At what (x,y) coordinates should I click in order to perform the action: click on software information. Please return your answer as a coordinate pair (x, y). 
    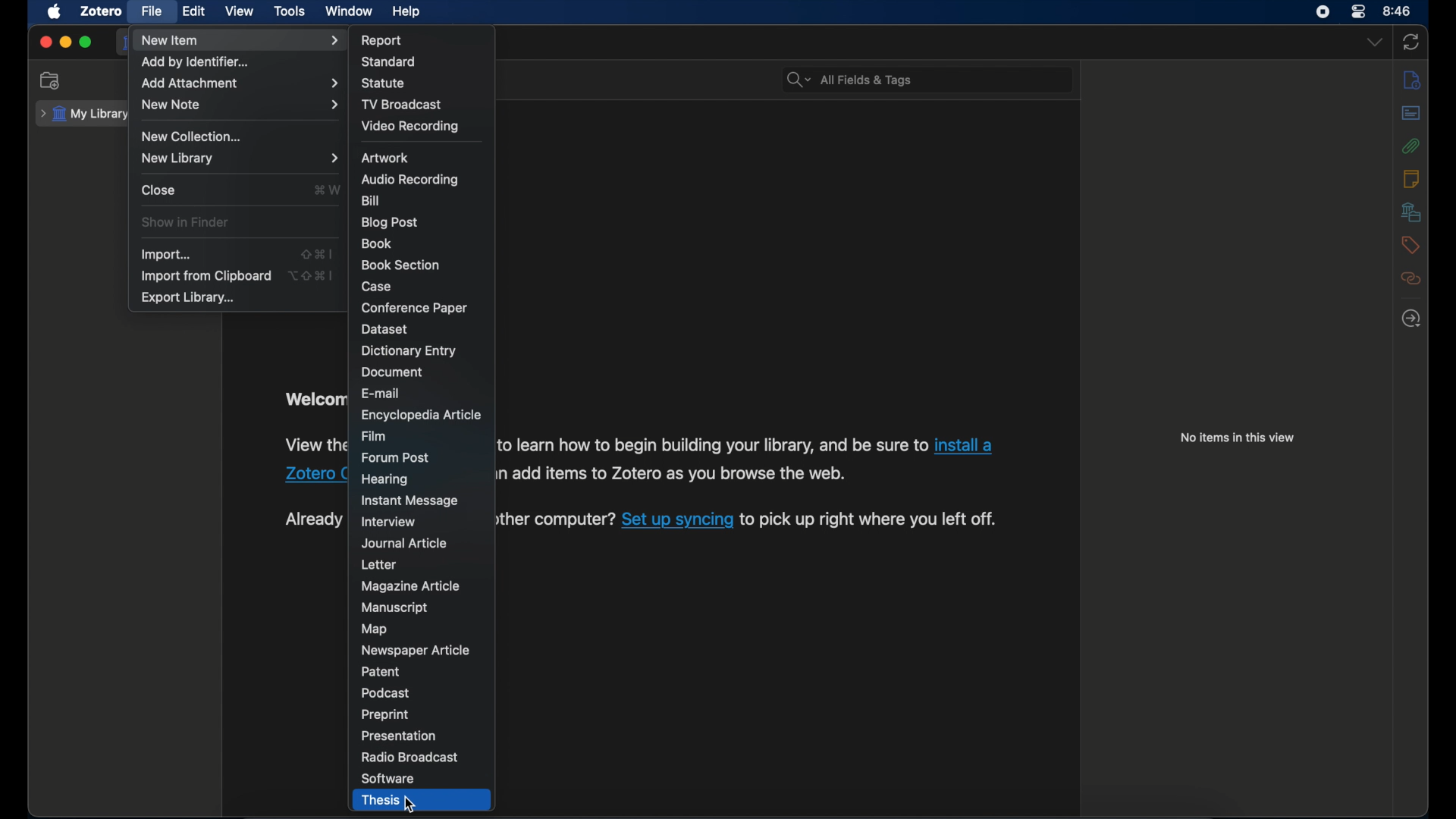
    Looking at the image, I should click on (315, 446).